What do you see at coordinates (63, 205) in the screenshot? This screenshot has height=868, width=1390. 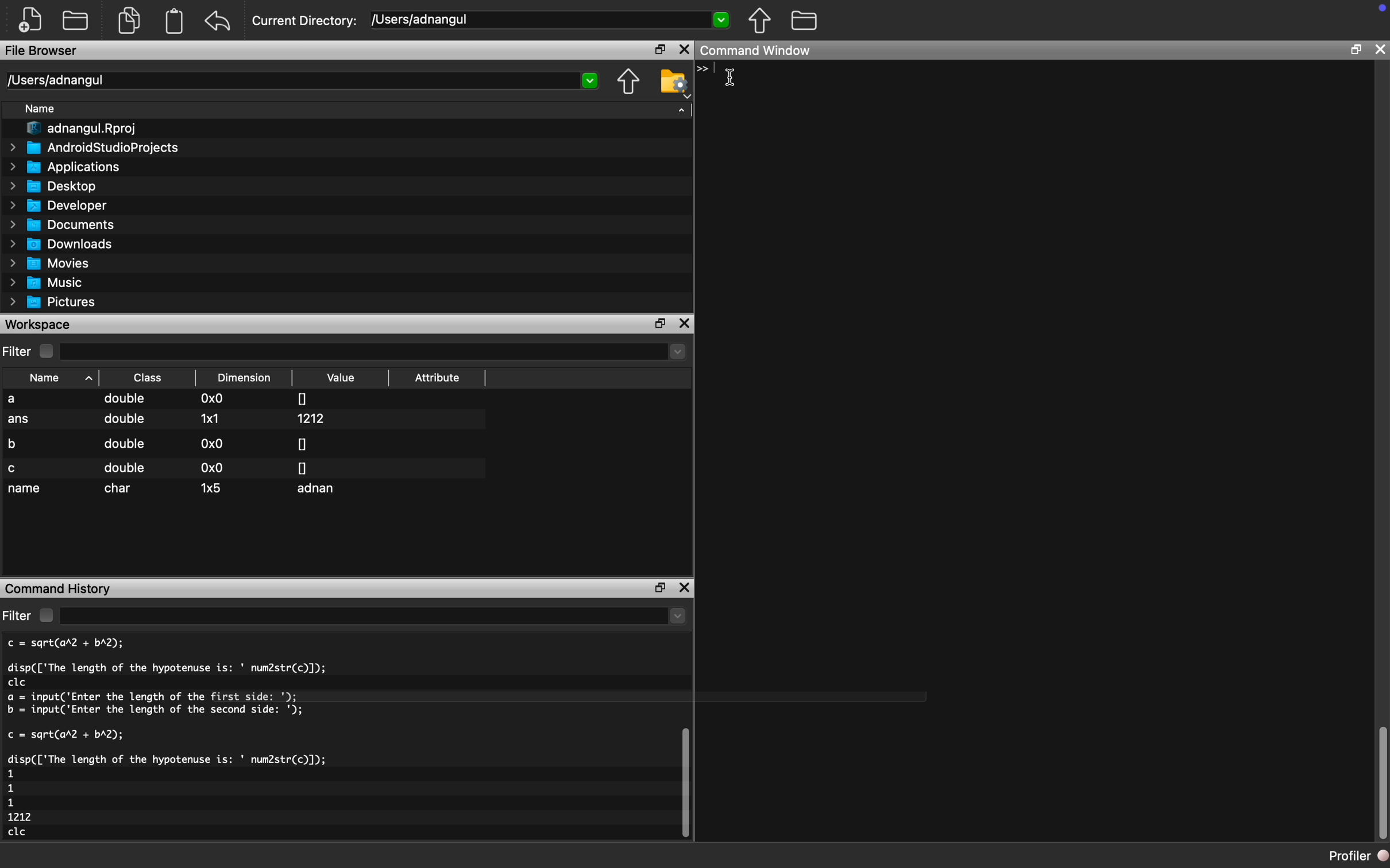 I see `Developer` at bounding box center [63, 205].